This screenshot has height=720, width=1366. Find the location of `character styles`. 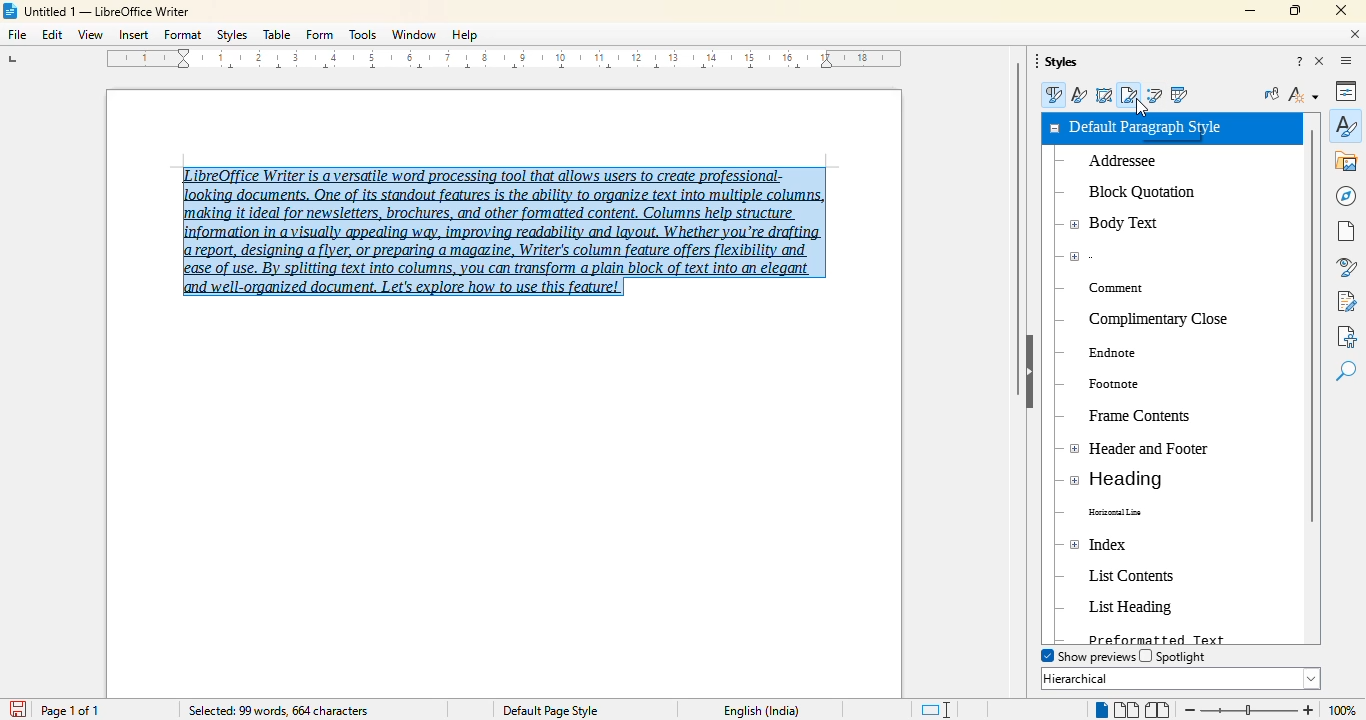

character styles is located at coordinates (1080, 95).